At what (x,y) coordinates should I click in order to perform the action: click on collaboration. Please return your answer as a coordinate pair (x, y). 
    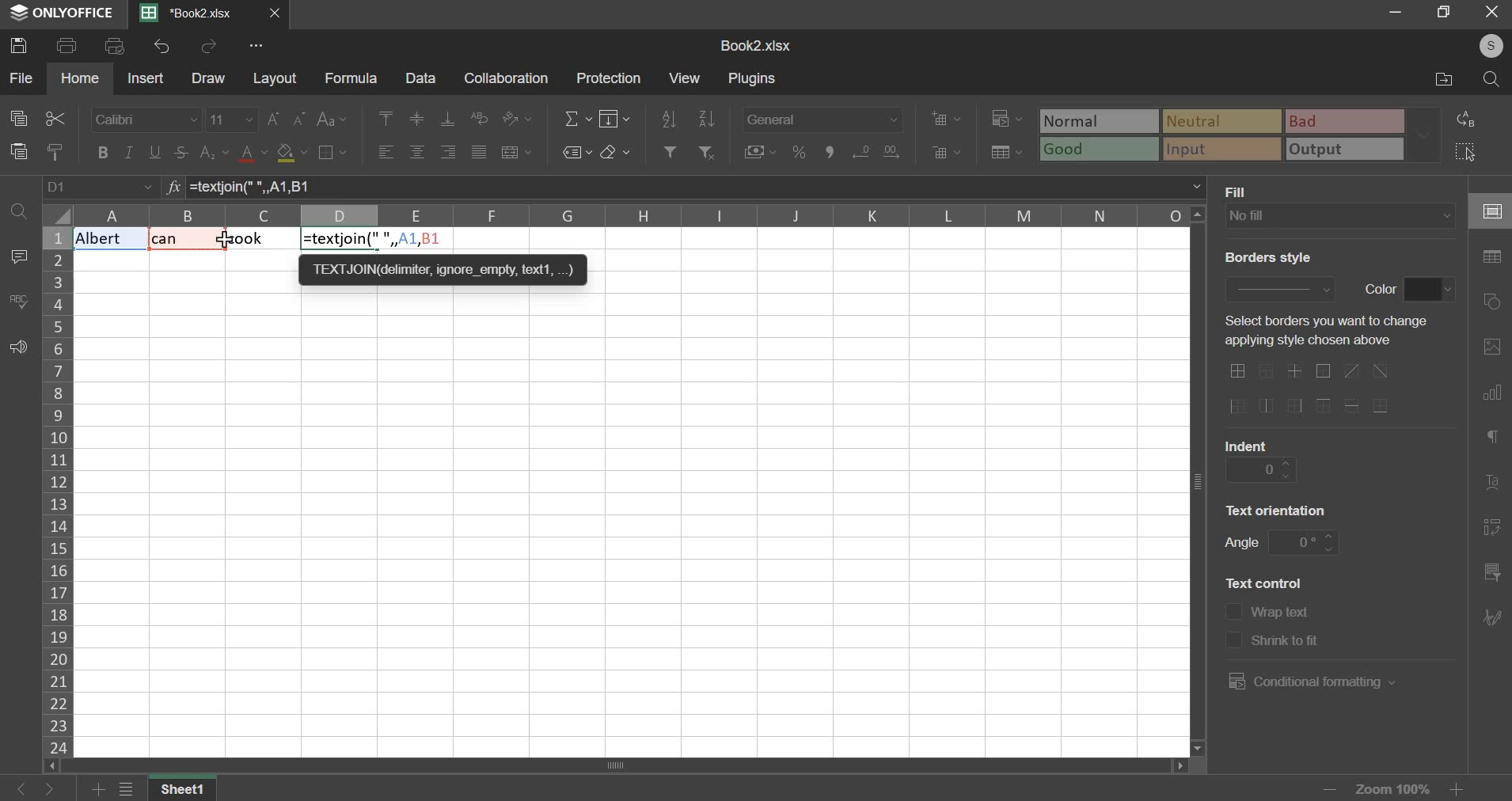
    Looking at the image, I should click on (507, 79).